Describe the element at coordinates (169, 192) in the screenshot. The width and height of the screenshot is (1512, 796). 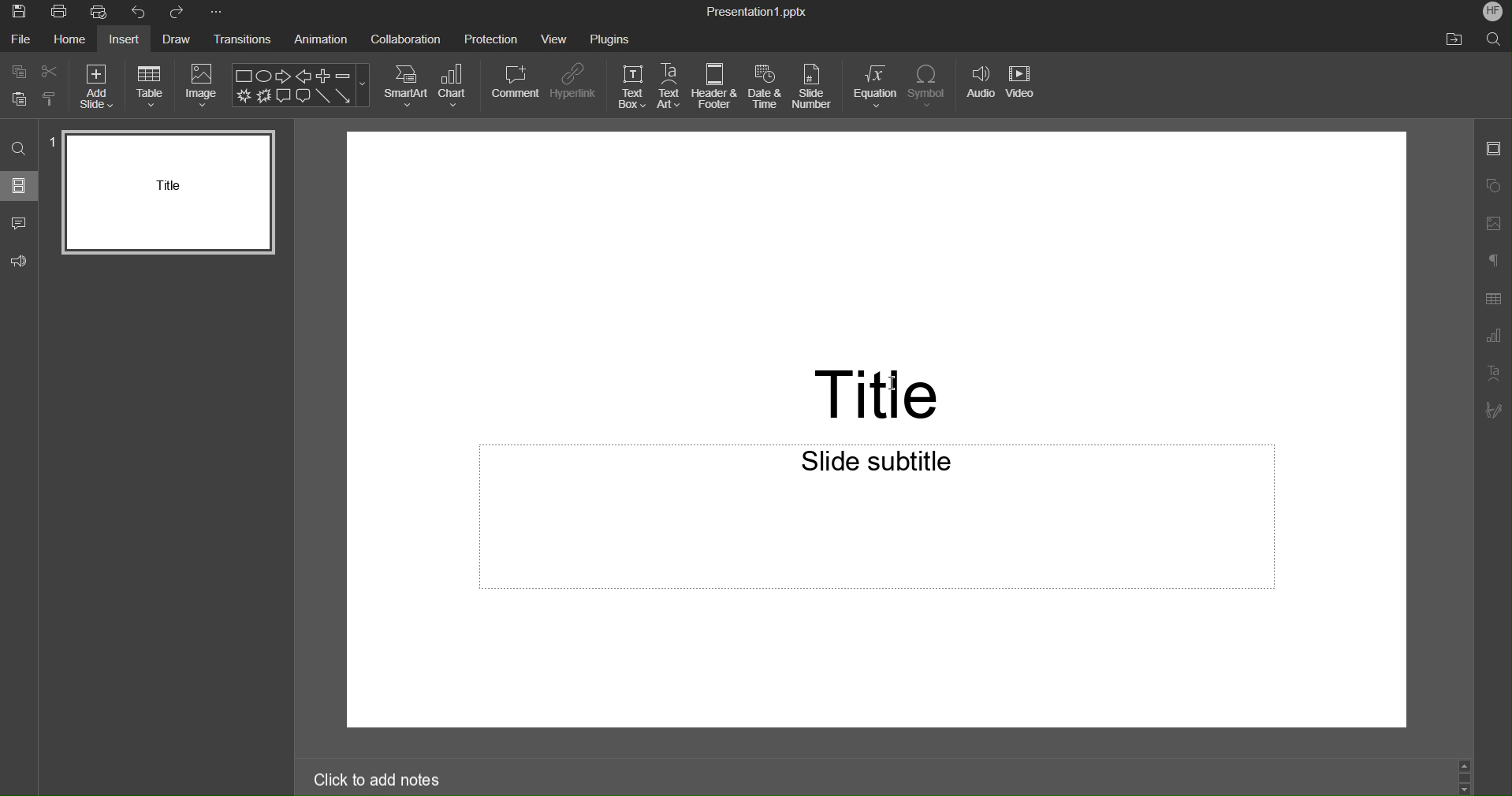
I see `Slide 1` at that location.